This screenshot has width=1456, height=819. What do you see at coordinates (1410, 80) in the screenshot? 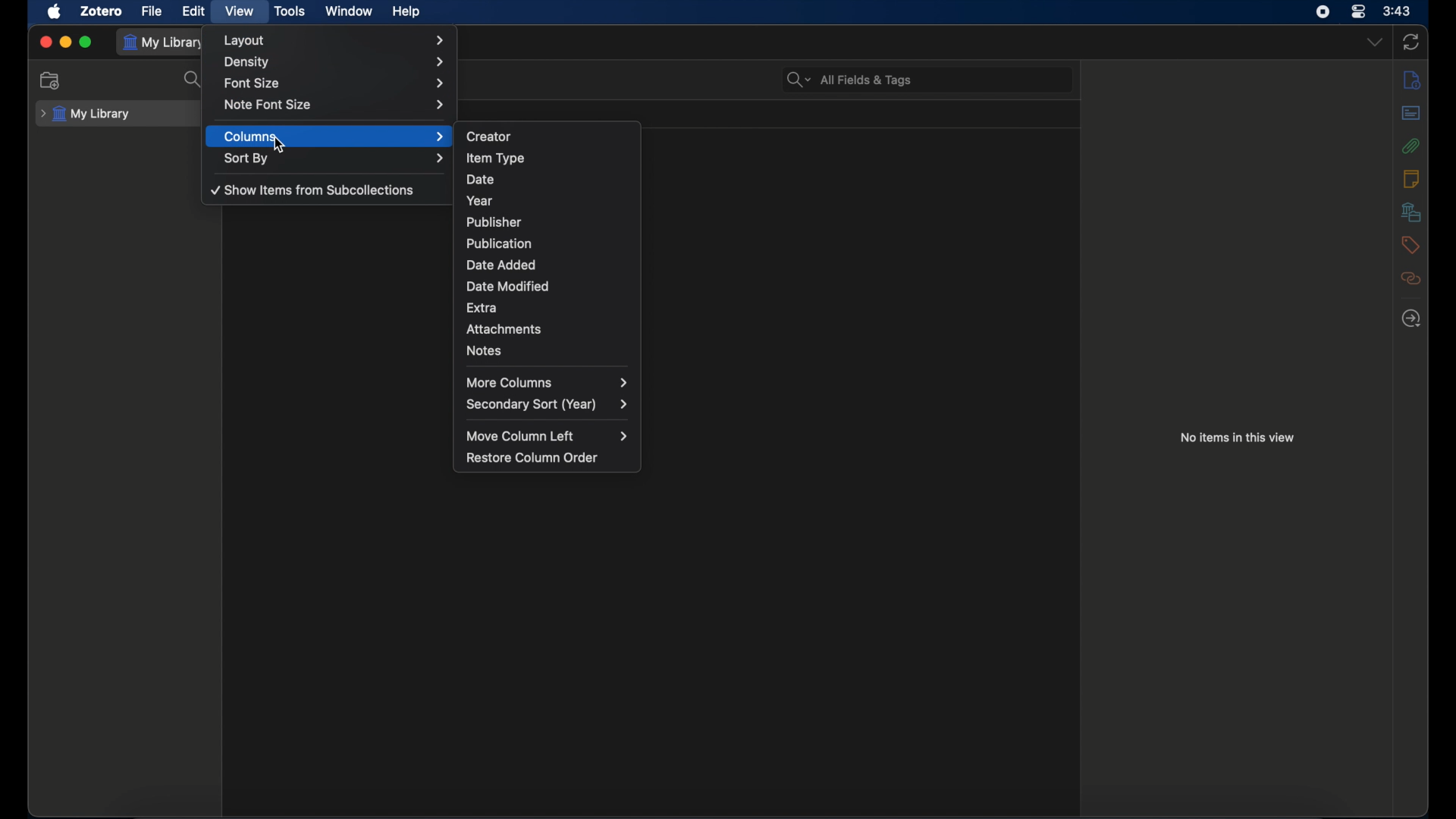
I see `info` at bounding box center [1410, 80].